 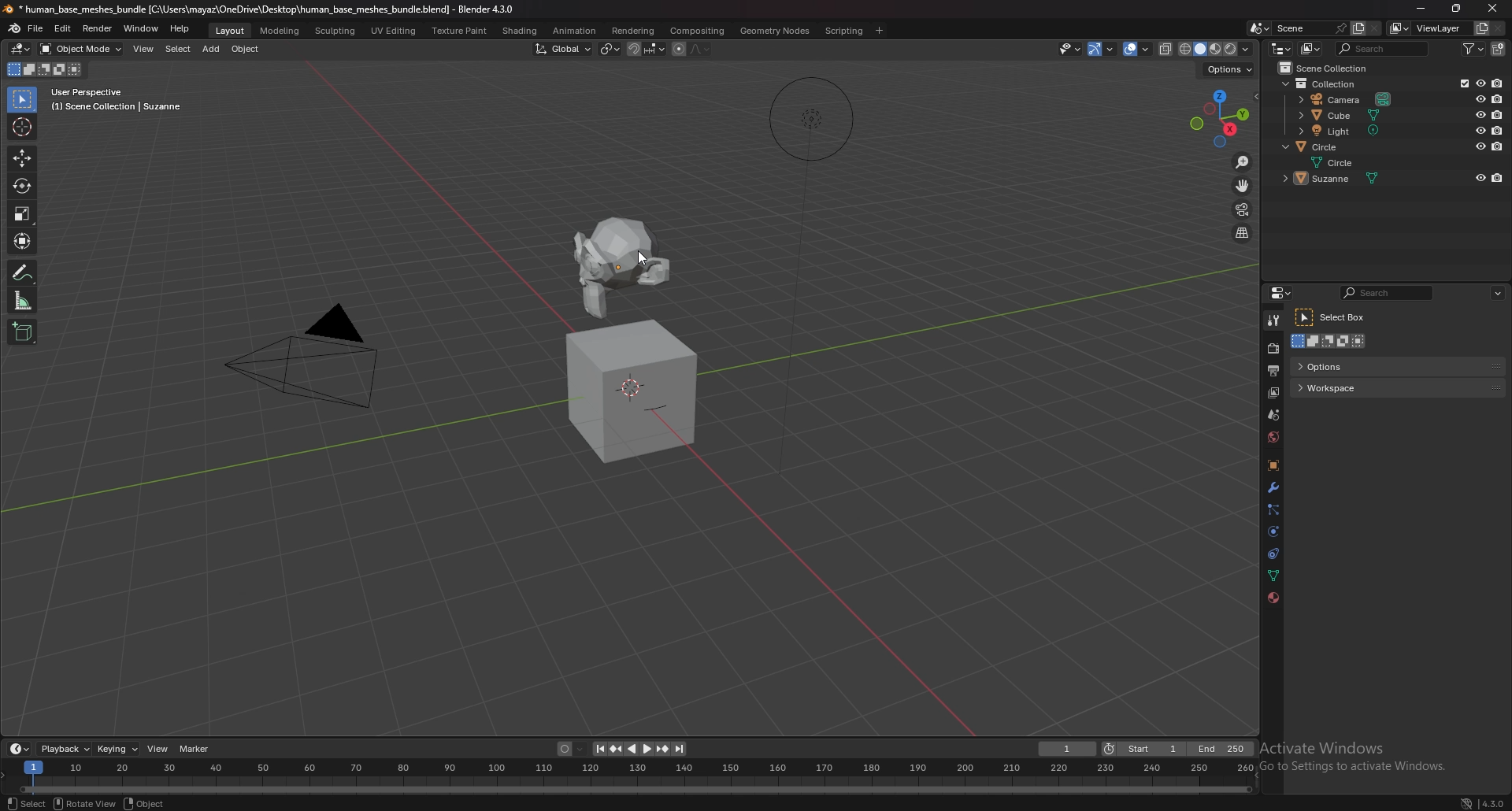 I want to click on mode, so click(x=47, y=69).